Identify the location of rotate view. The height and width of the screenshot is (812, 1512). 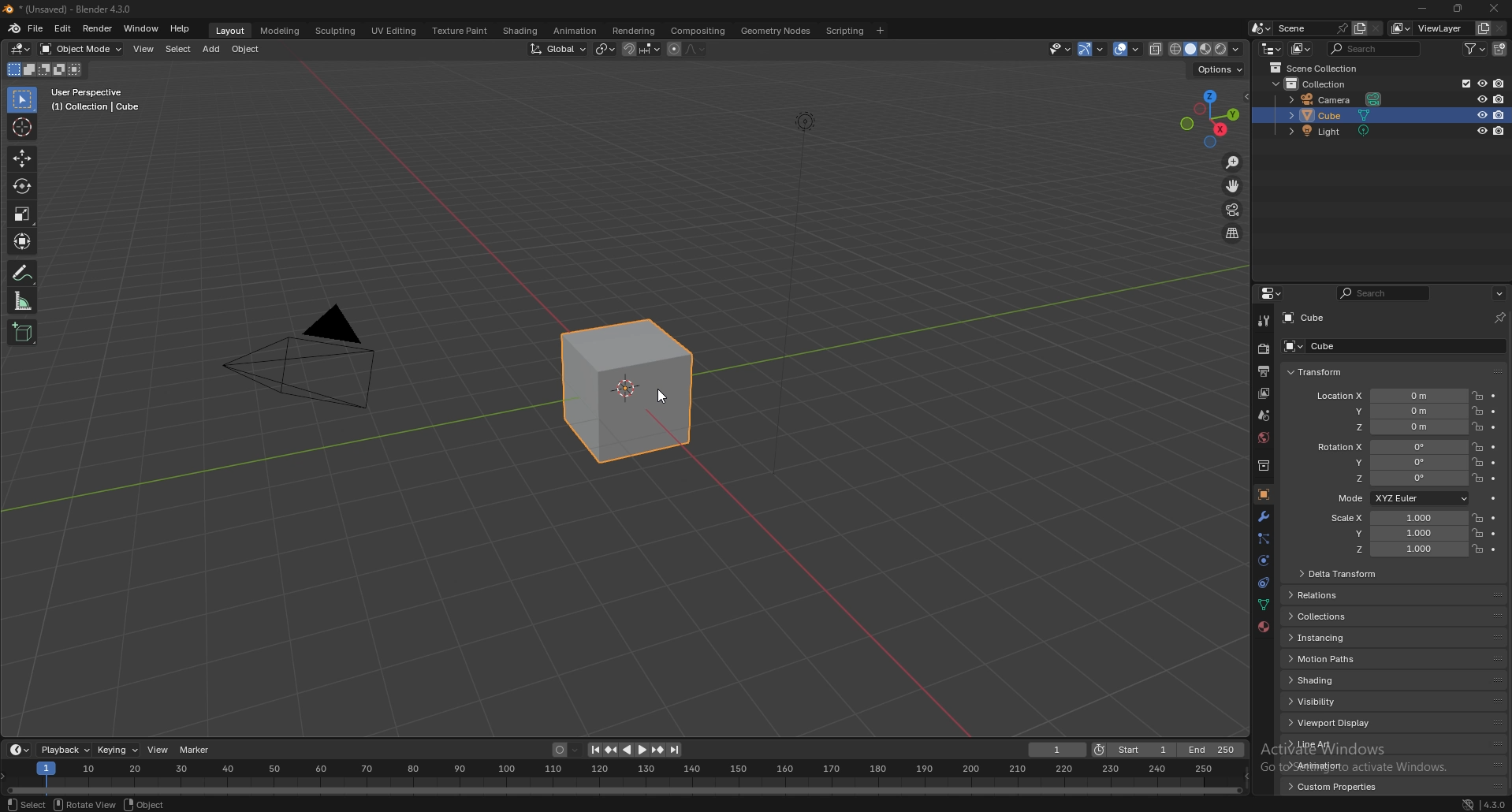
(84, 804).